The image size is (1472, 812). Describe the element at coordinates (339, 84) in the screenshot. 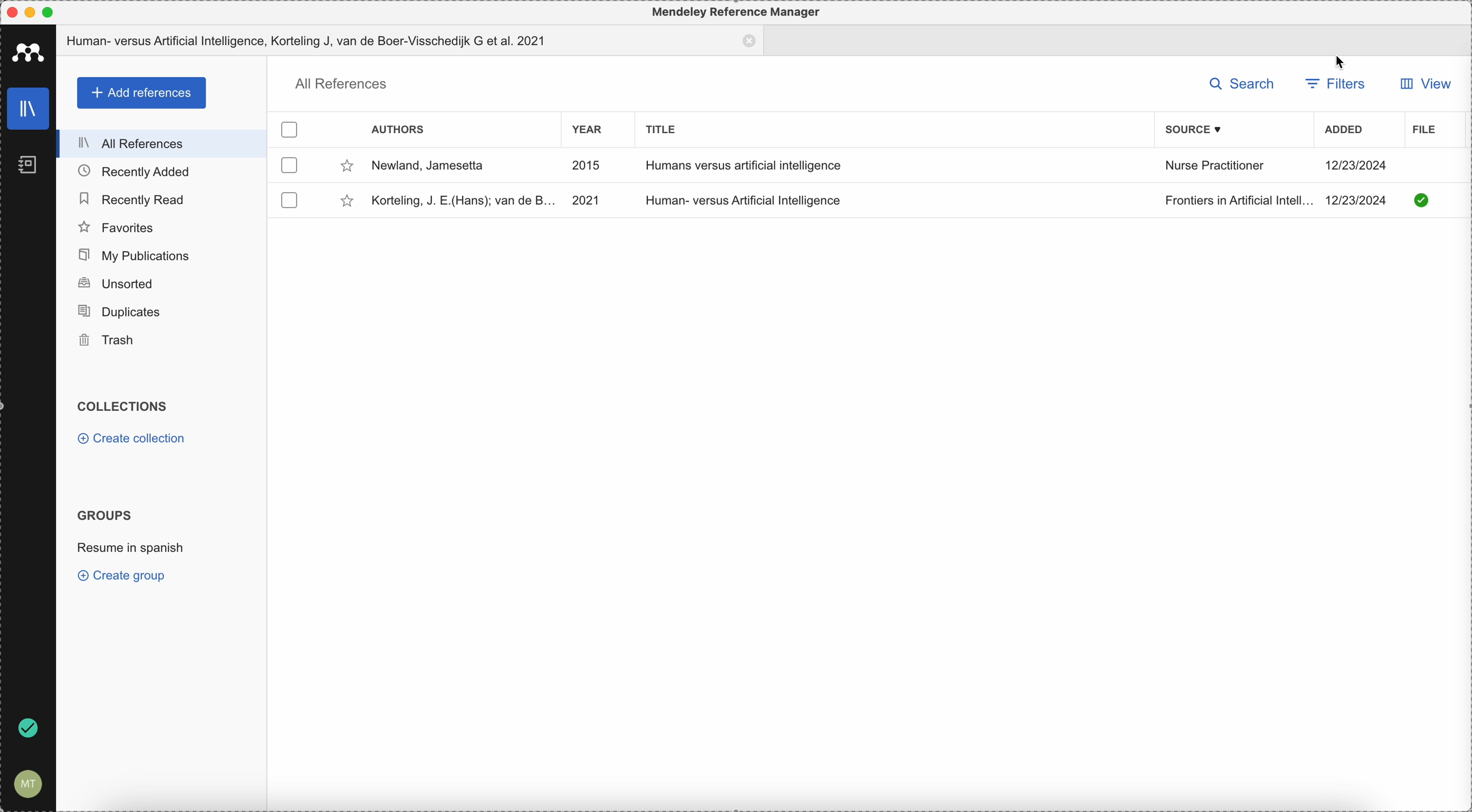

I see `all references` at that location.